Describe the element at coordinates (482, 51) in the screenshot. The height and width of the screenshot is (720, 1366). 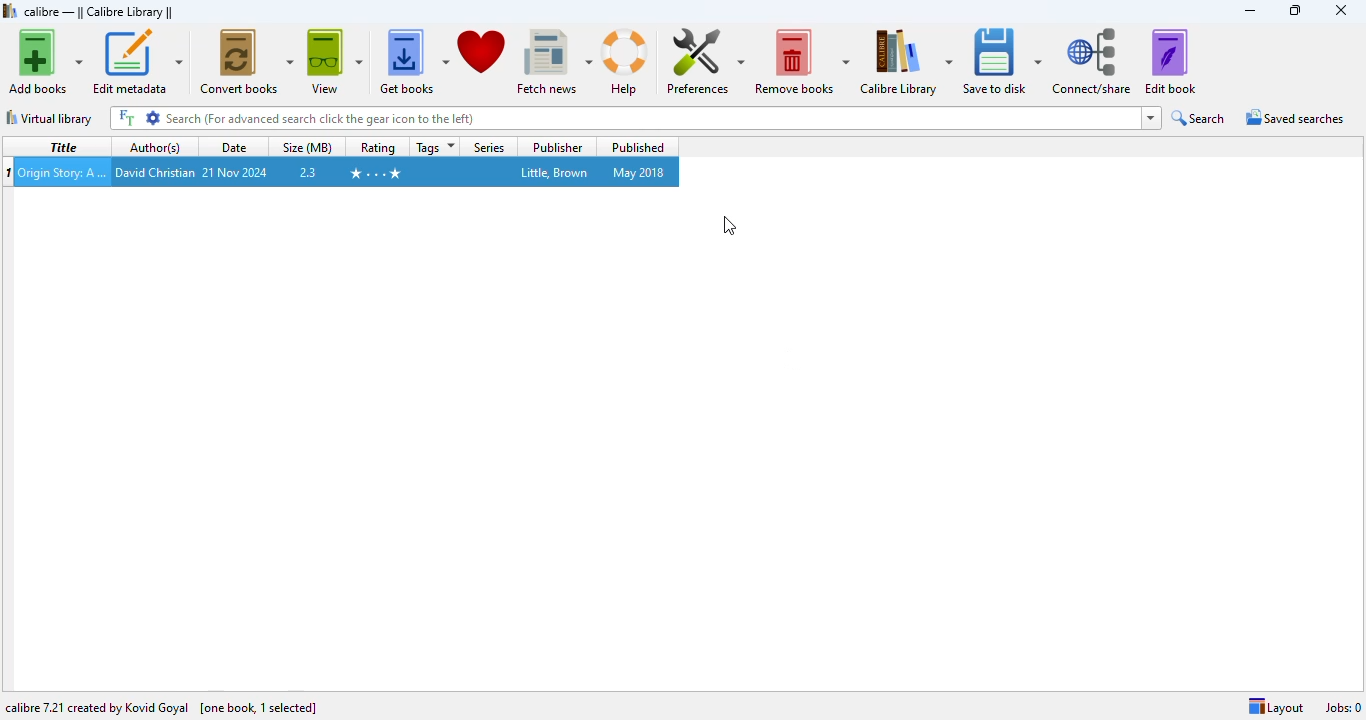
I see `donate to support calibre` at that location.